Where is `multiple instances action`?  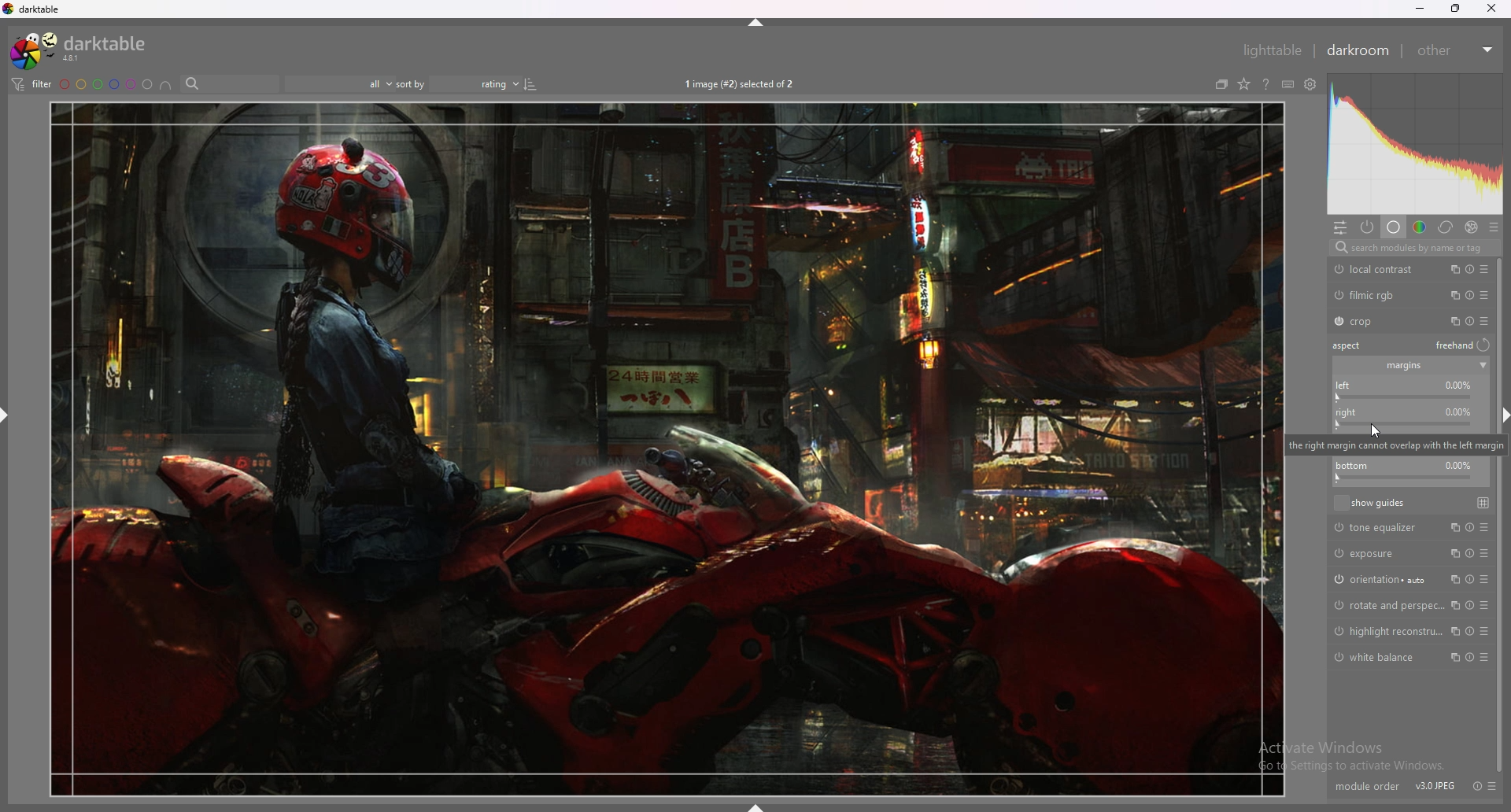 multiple instances action is located at coordinates (1454, 553).